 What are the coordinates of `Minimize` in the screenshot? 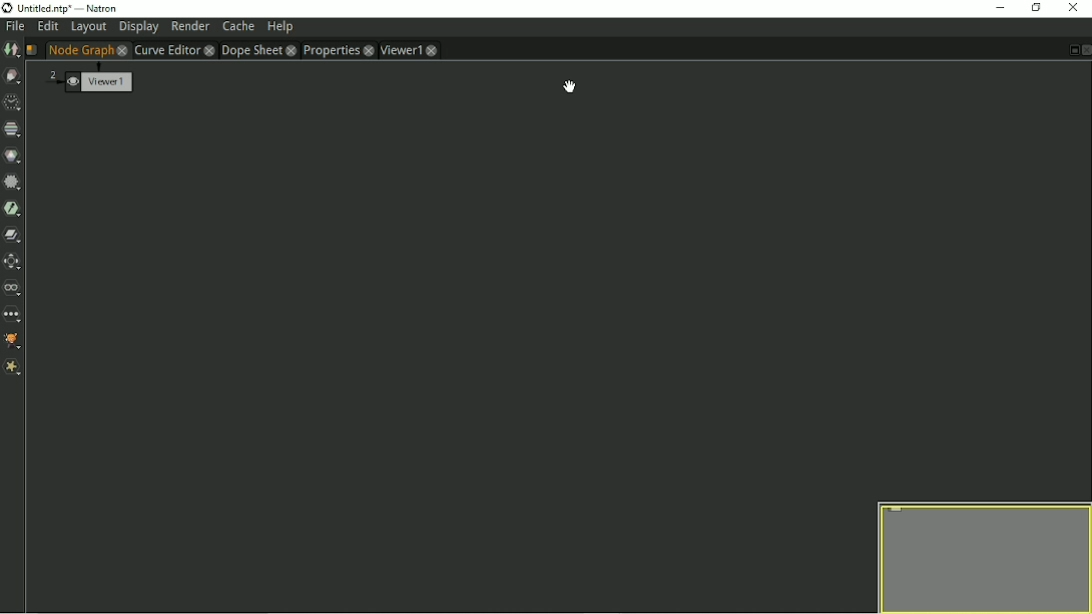 It's located at (998, 7).